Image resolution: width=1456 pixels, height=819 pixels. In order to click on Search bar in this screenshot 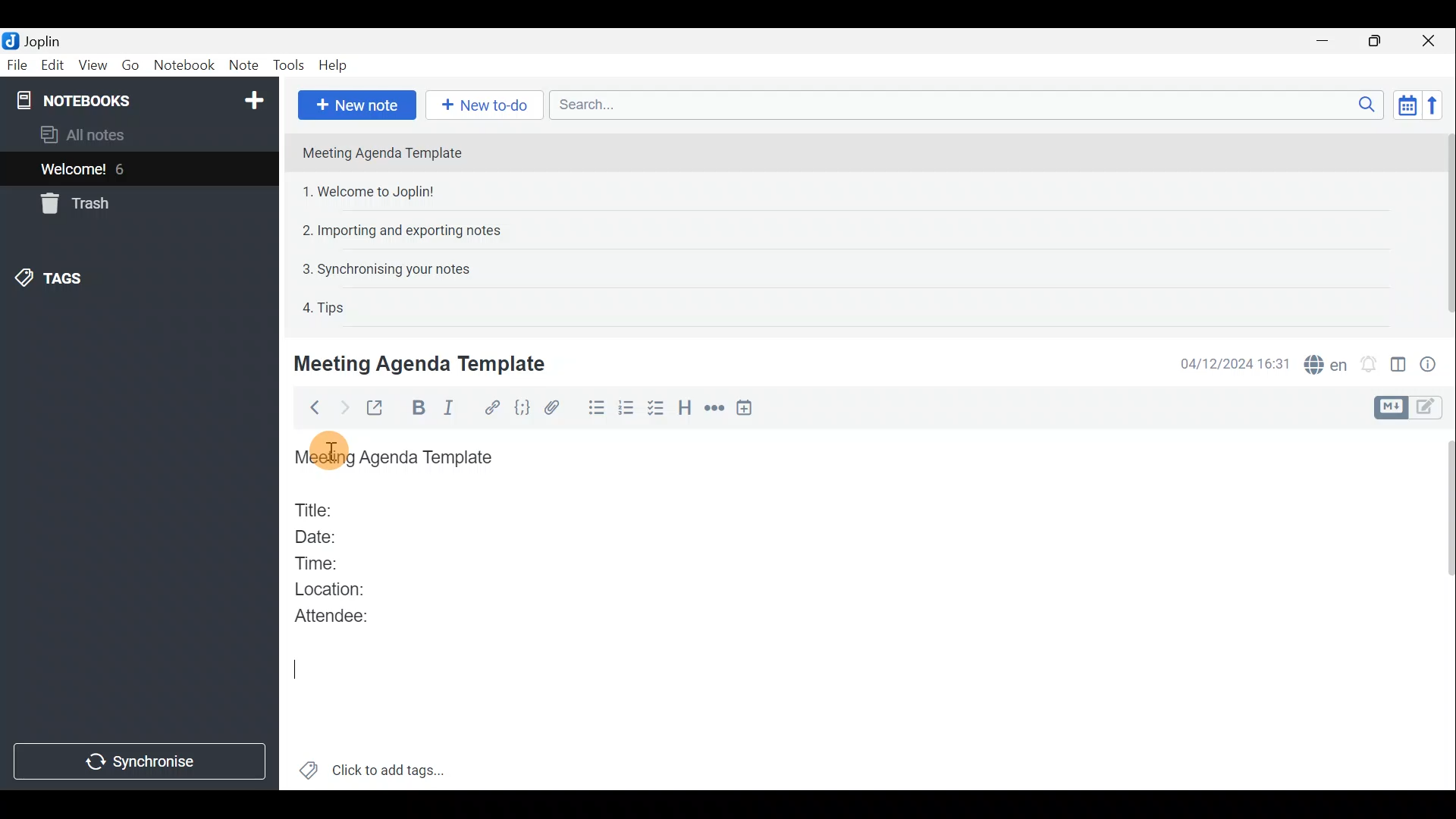, I will do `click(962, 104)`.